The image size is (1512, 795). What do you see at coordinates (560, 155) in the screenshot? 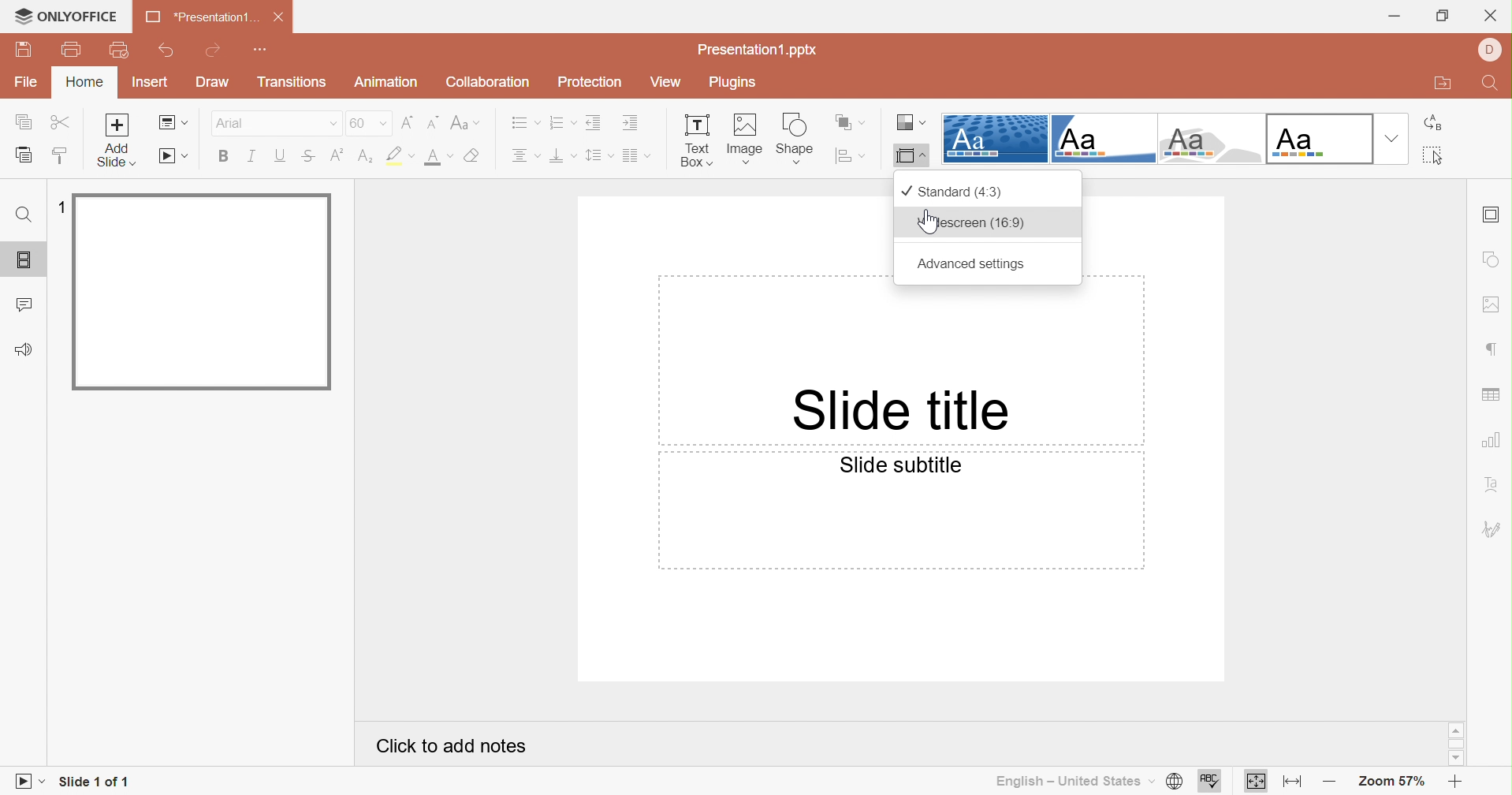
I see `Vertical align` at bounding box center [560, 155].